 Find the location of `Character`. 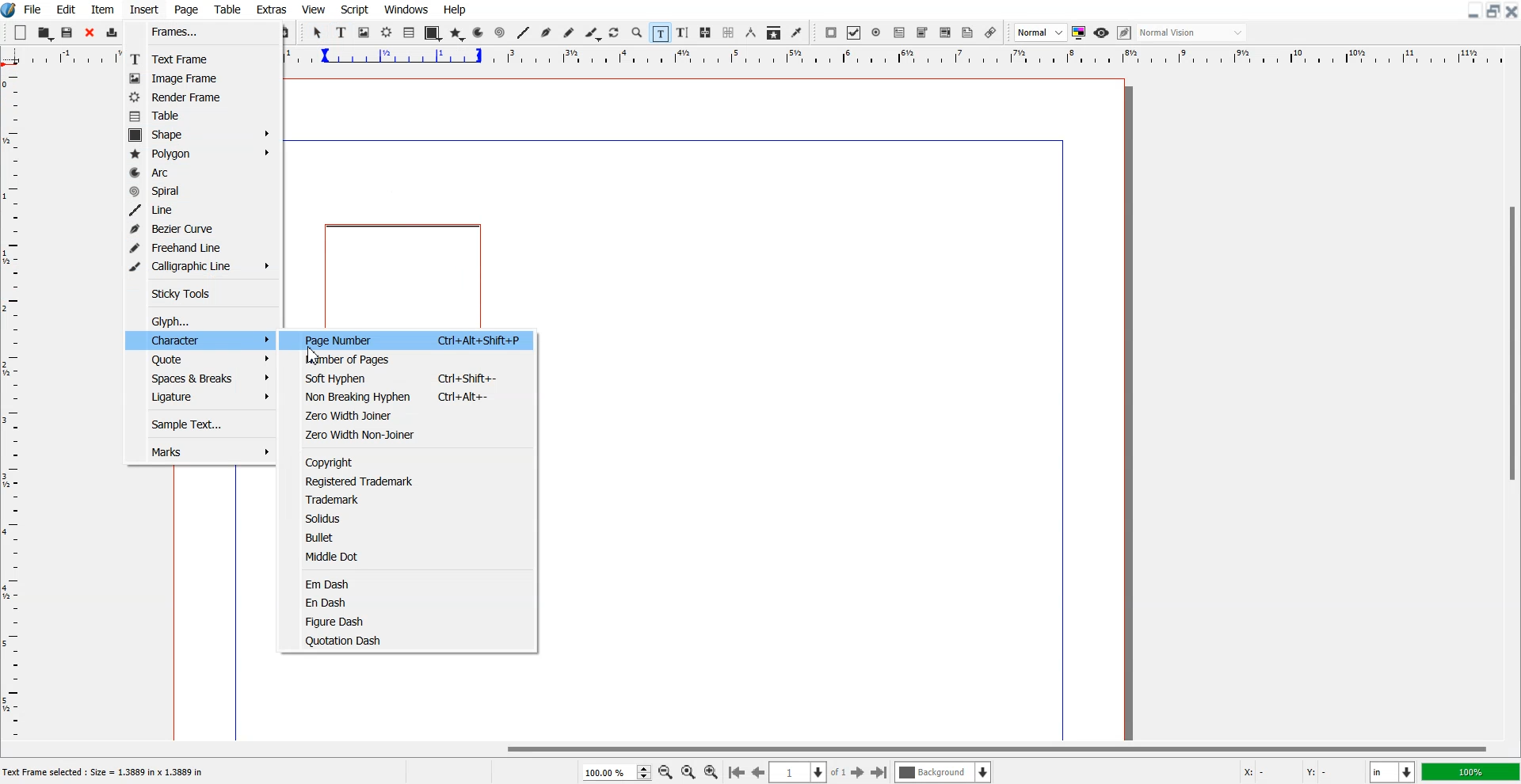

Character is located at coordinates (200, 338).